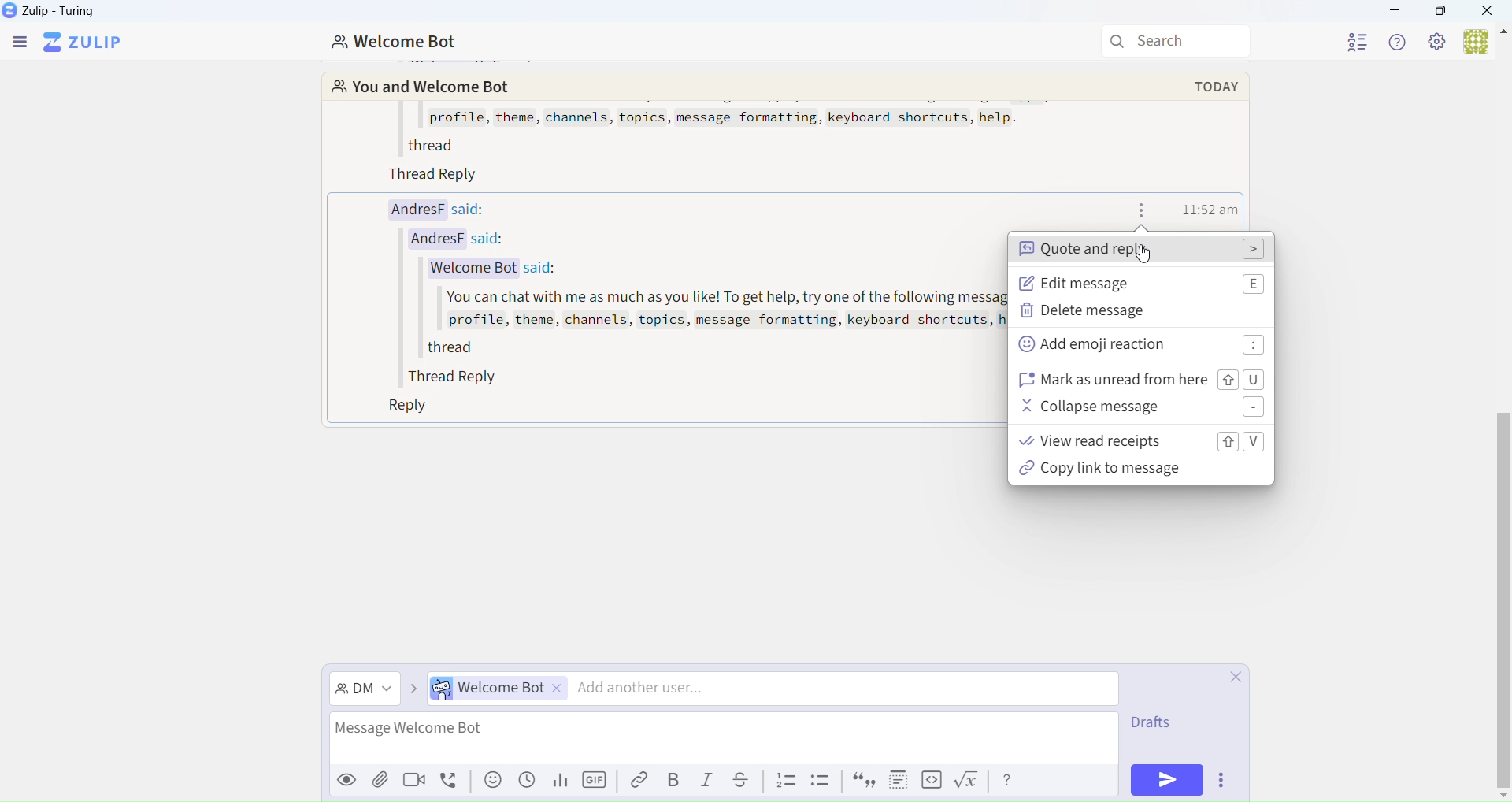 The height and width of the screenshot is (802, 1512). Describe the element at coordinates (709, 780) in the screenshot. I see `Italic` at that location.